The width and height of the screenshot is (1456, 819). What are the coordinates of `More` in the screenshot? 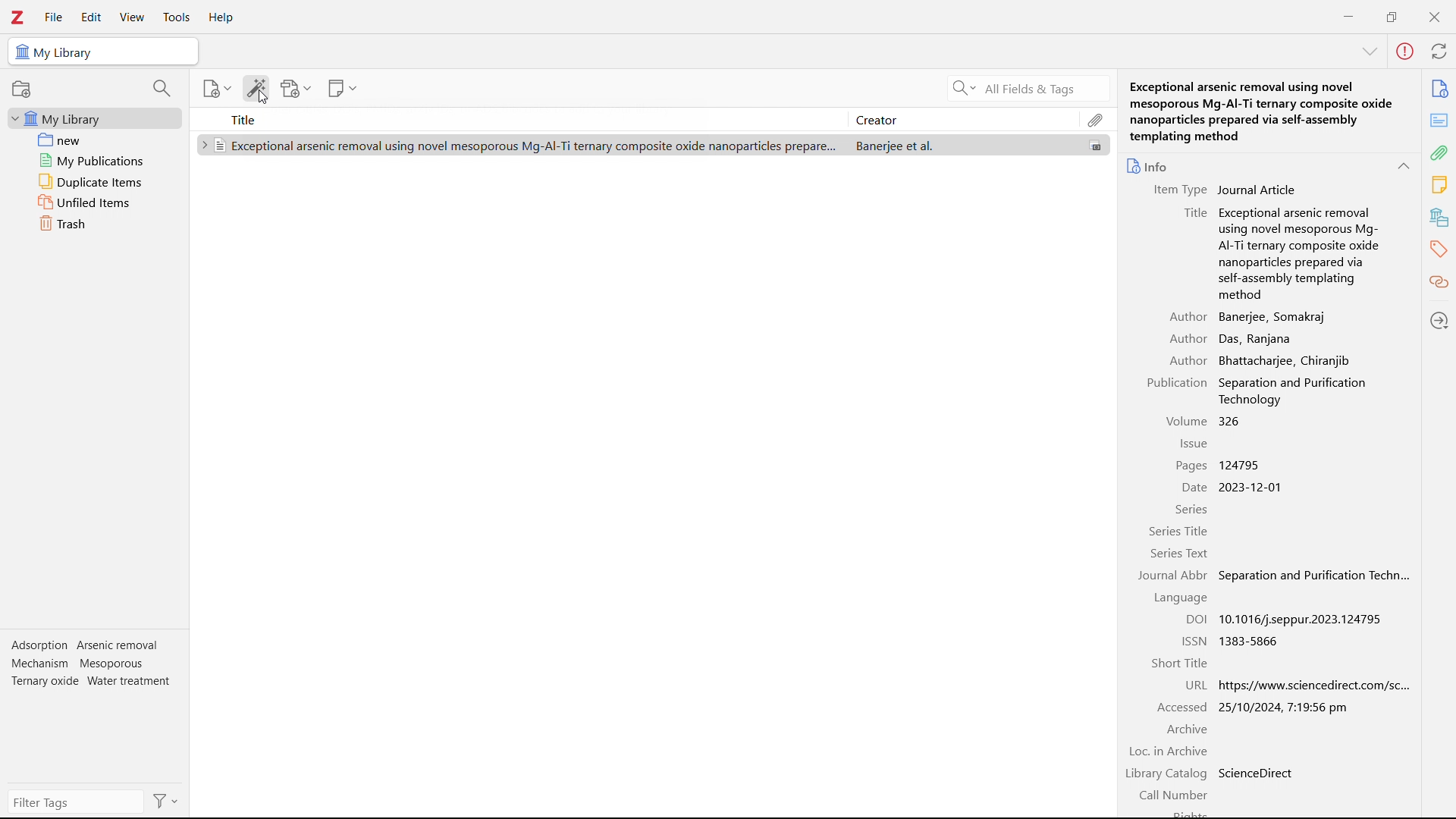 It's located at (1370, 52).